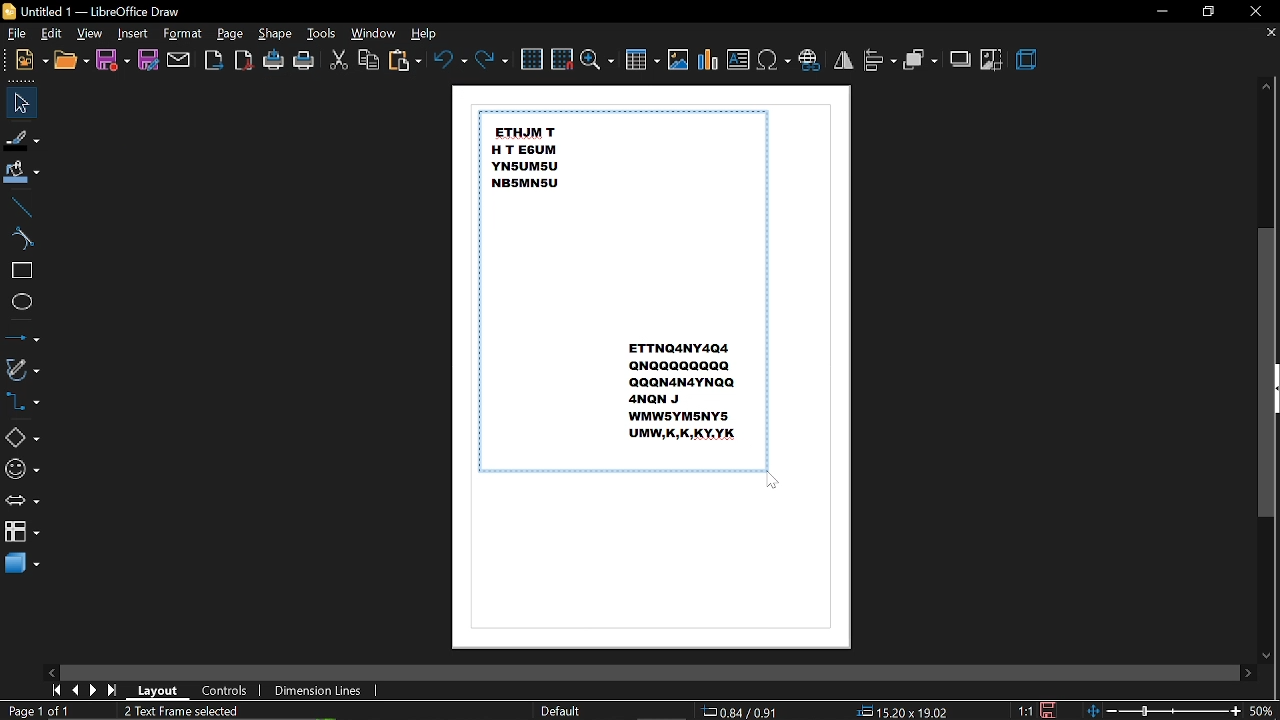 The height and width of the screenshot is (720, 1280). Describe the element at coordinates (22, 334) in the screenshot. I see `lines and arrows` at that location.